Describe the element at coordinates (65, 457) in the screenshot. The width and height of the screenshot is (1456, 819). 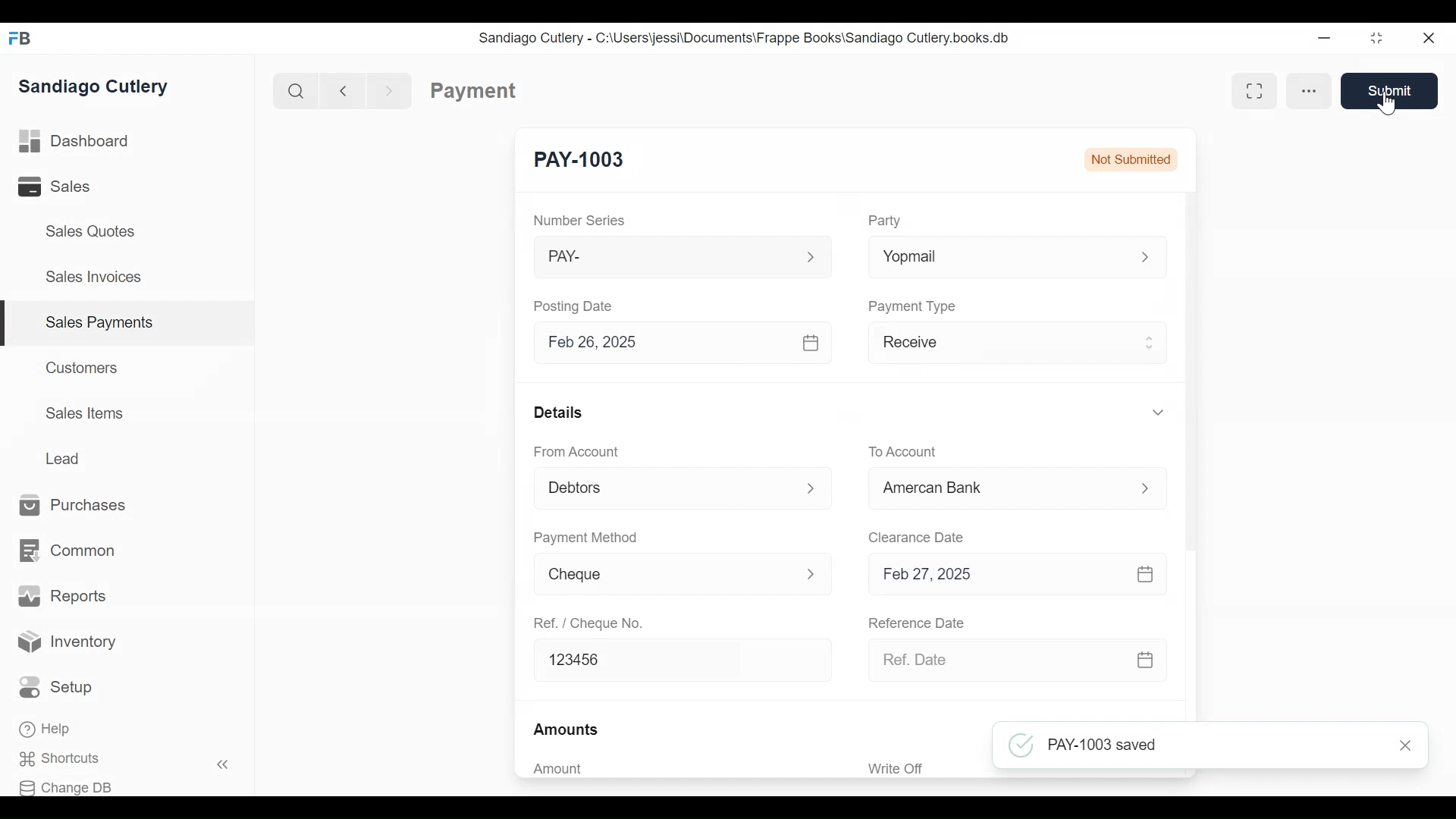
I see `Lead` at that location.